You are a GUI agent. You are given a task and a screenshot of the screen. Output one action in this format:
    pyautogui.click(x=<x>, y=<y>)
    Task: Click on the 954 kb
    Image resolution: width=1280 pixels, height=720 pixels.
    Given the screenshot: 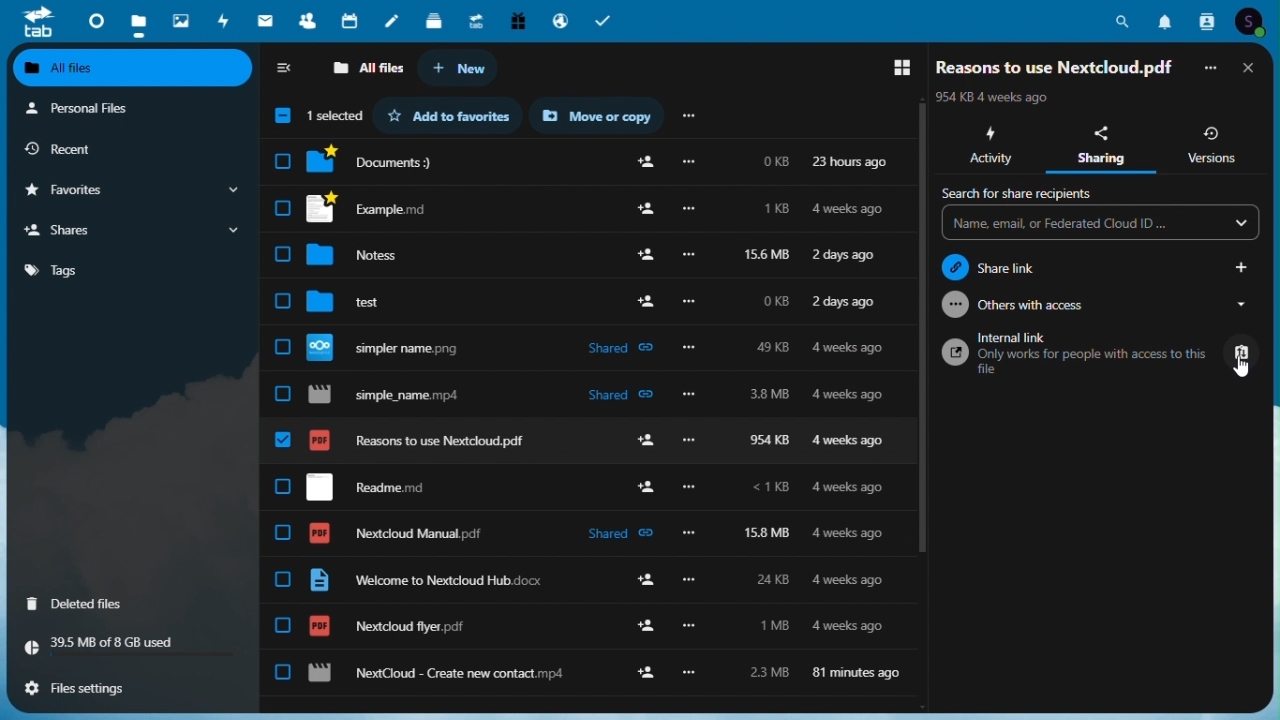 What is the action you would take?
    pyautogui.click(x=765, y=441)
    